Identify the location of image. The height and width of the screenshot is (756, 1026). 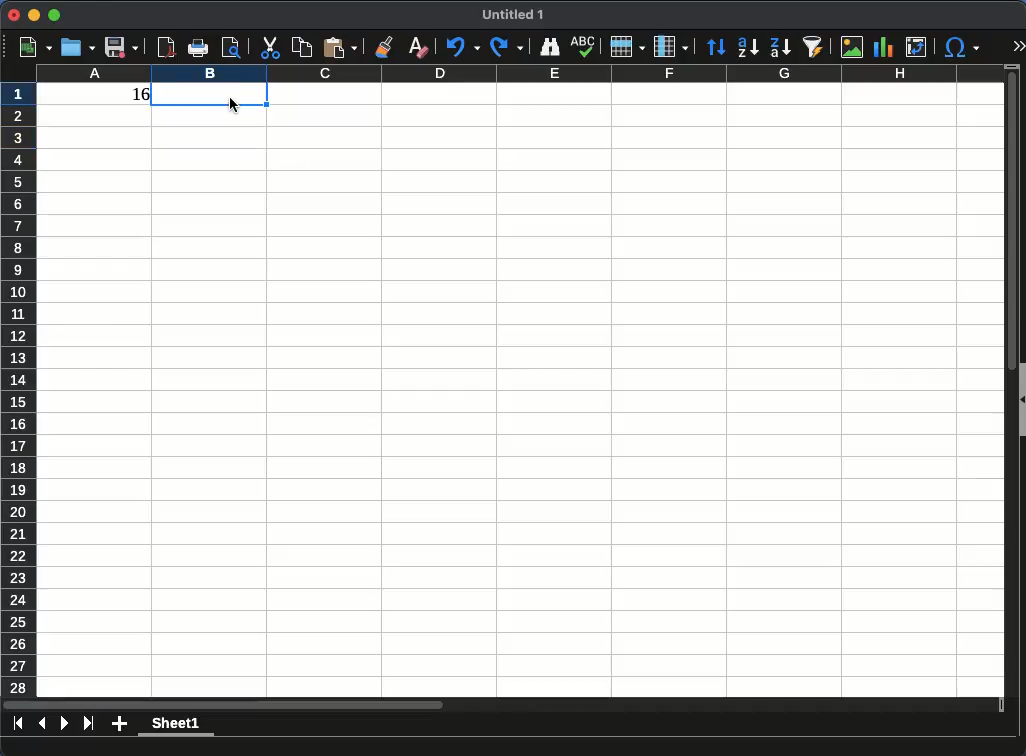
(852, 48).